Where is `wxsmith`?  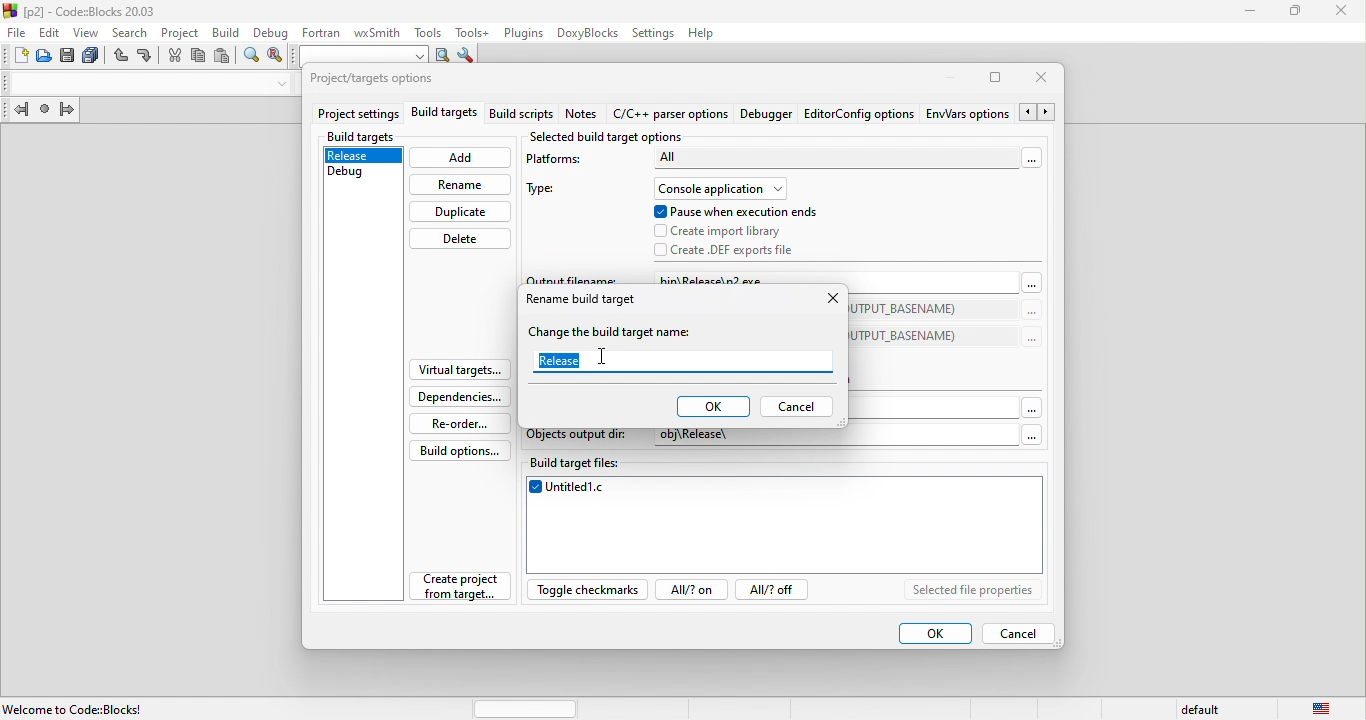
wxsmith is located at coordinates (375, 31).